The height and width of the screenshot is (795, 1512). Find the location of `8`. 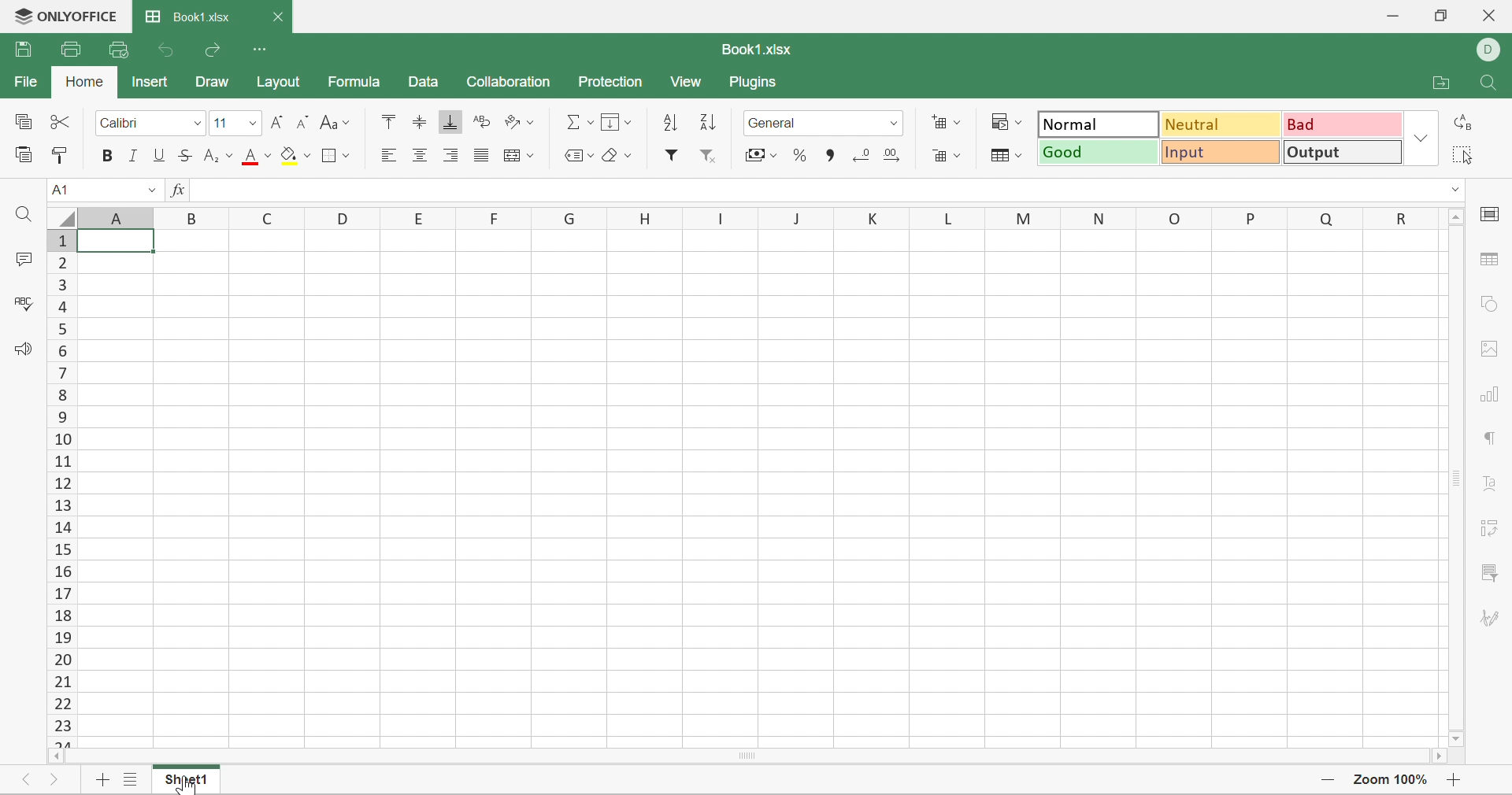

8 is located at coordinates (69, 397).